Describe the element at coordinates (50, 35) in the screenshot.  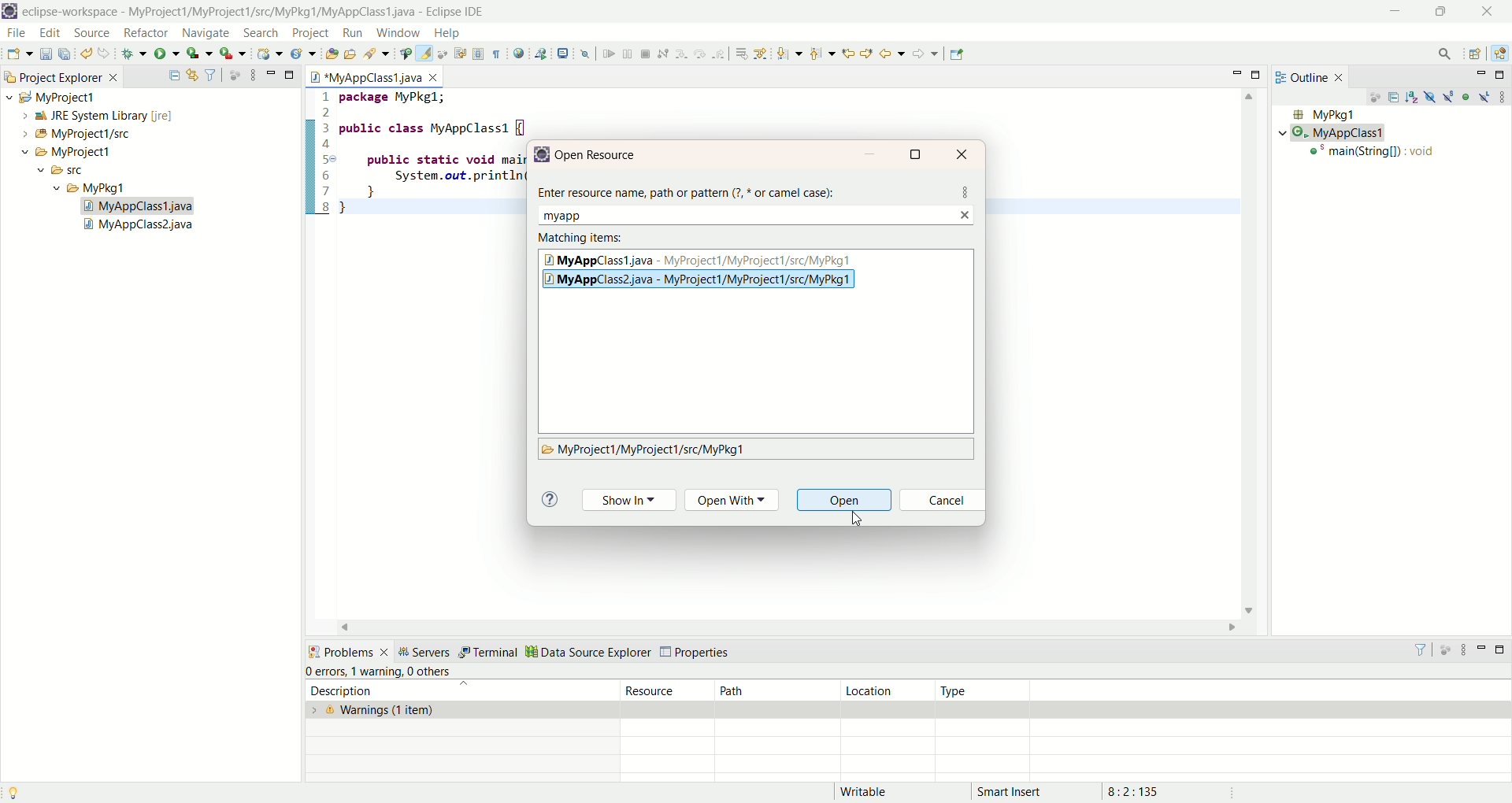
I see `edit` at that location.